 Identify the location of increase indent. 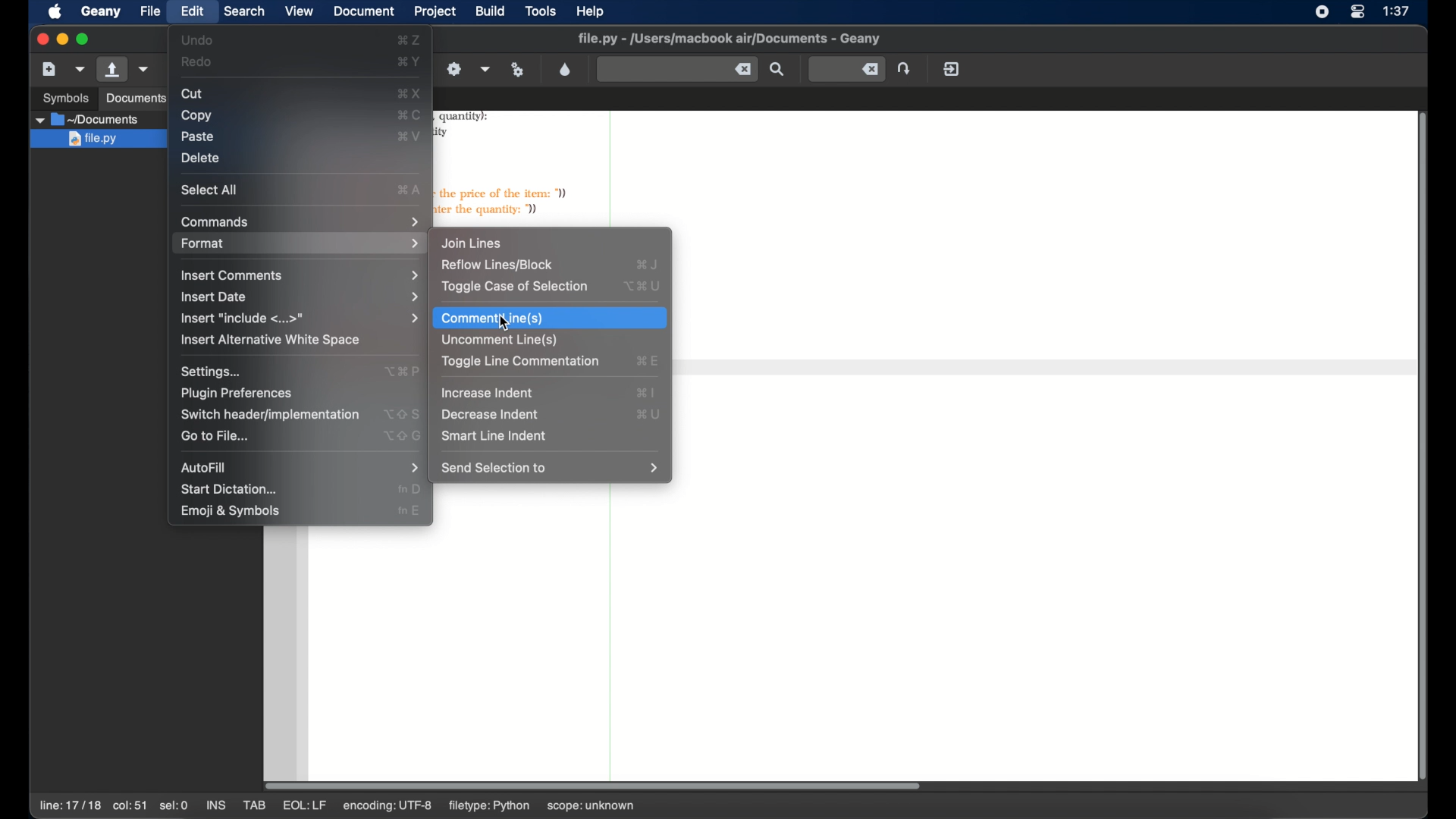
(645, 391).